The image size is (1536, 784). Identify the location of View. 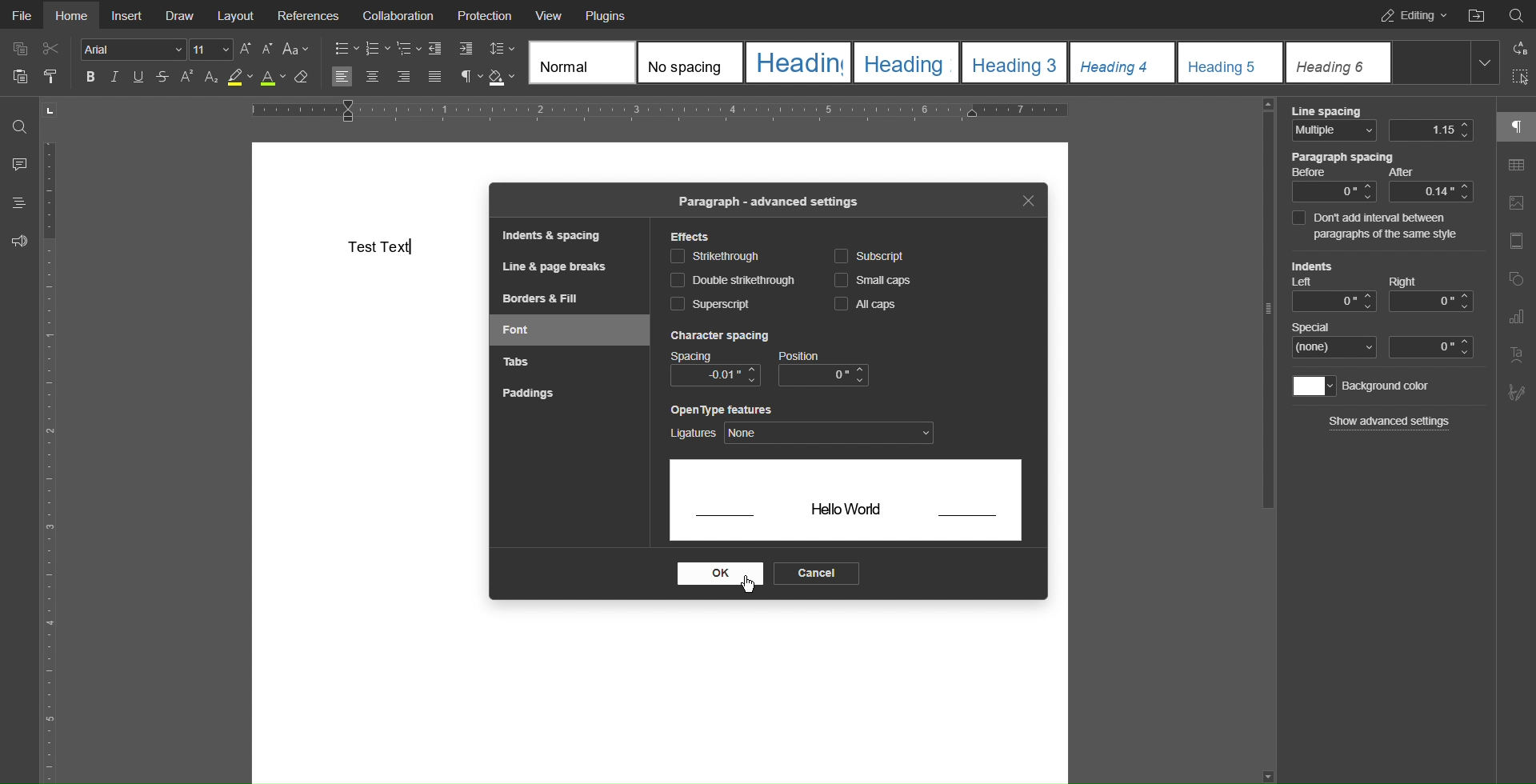
(550, 14).